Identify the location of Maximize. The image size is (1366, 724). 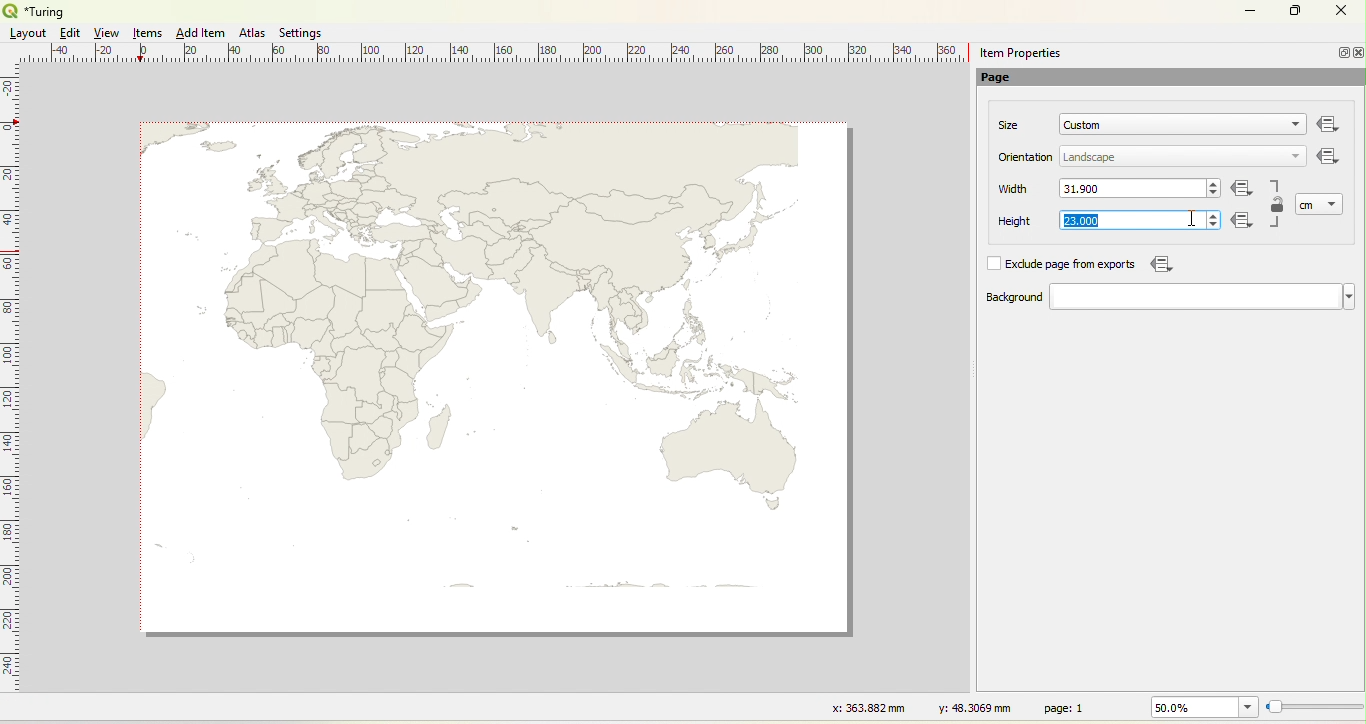
(1296, 12).